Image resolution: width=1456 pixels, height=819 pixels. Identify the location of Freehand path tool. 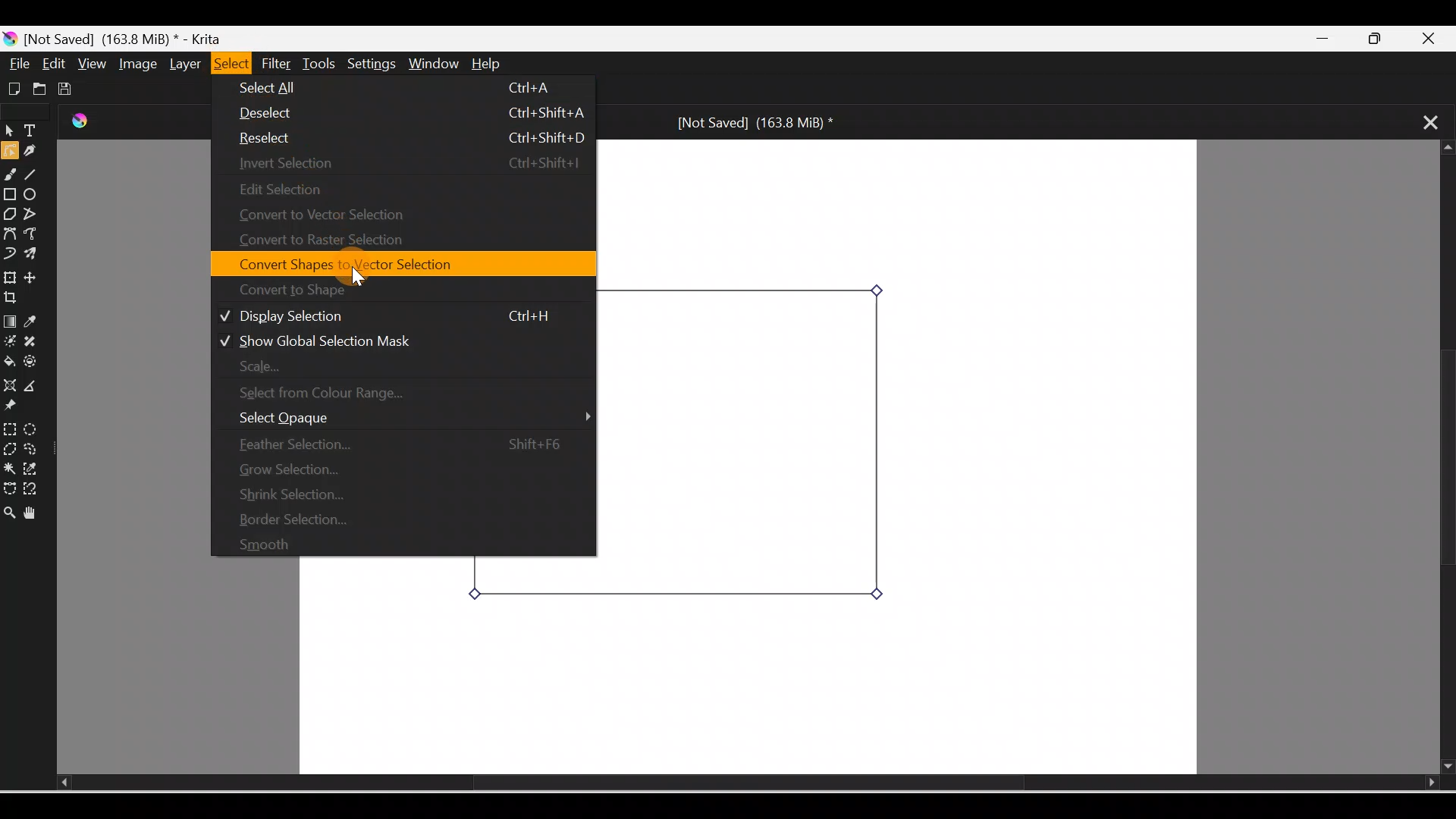
(35, 235).